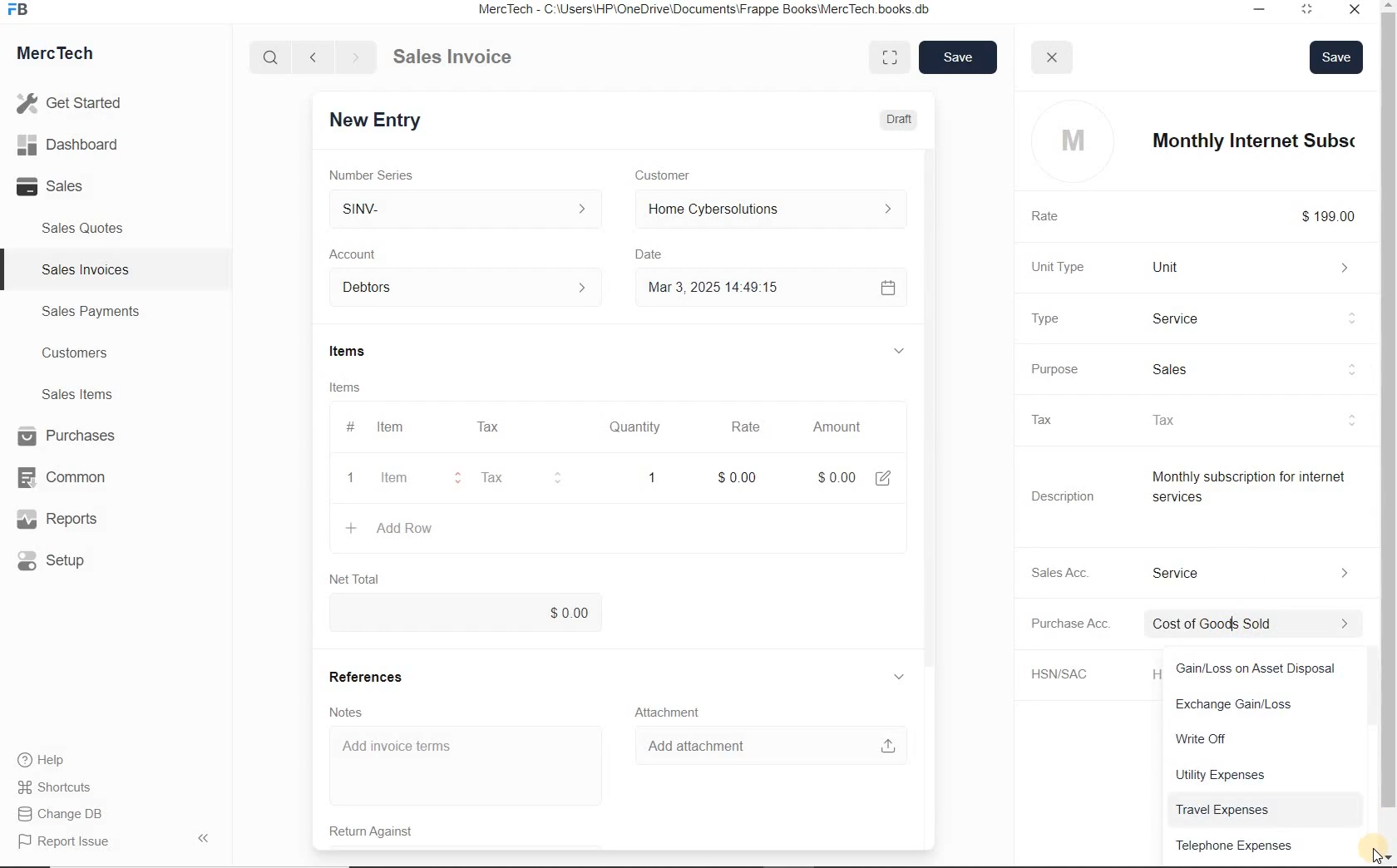 The width and height of the screenshot is (1397, 868). What do you see at coordinates (1058, 419) in the screenshot?
I see `Tax` at bounding box center [1058, 419].